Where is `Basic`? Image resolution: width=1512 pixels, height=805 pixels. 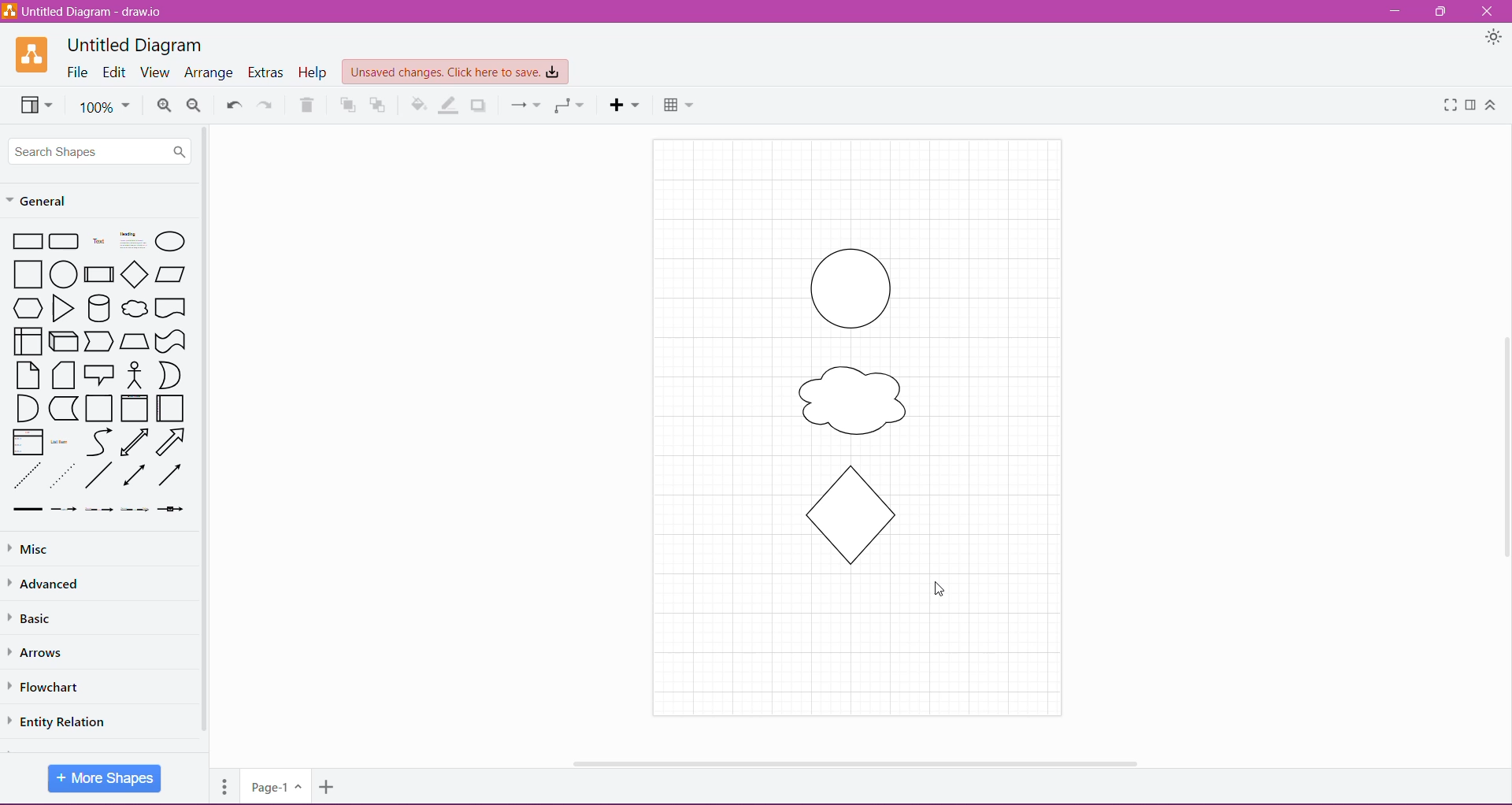 Basic is located at coordinates (39, 618).